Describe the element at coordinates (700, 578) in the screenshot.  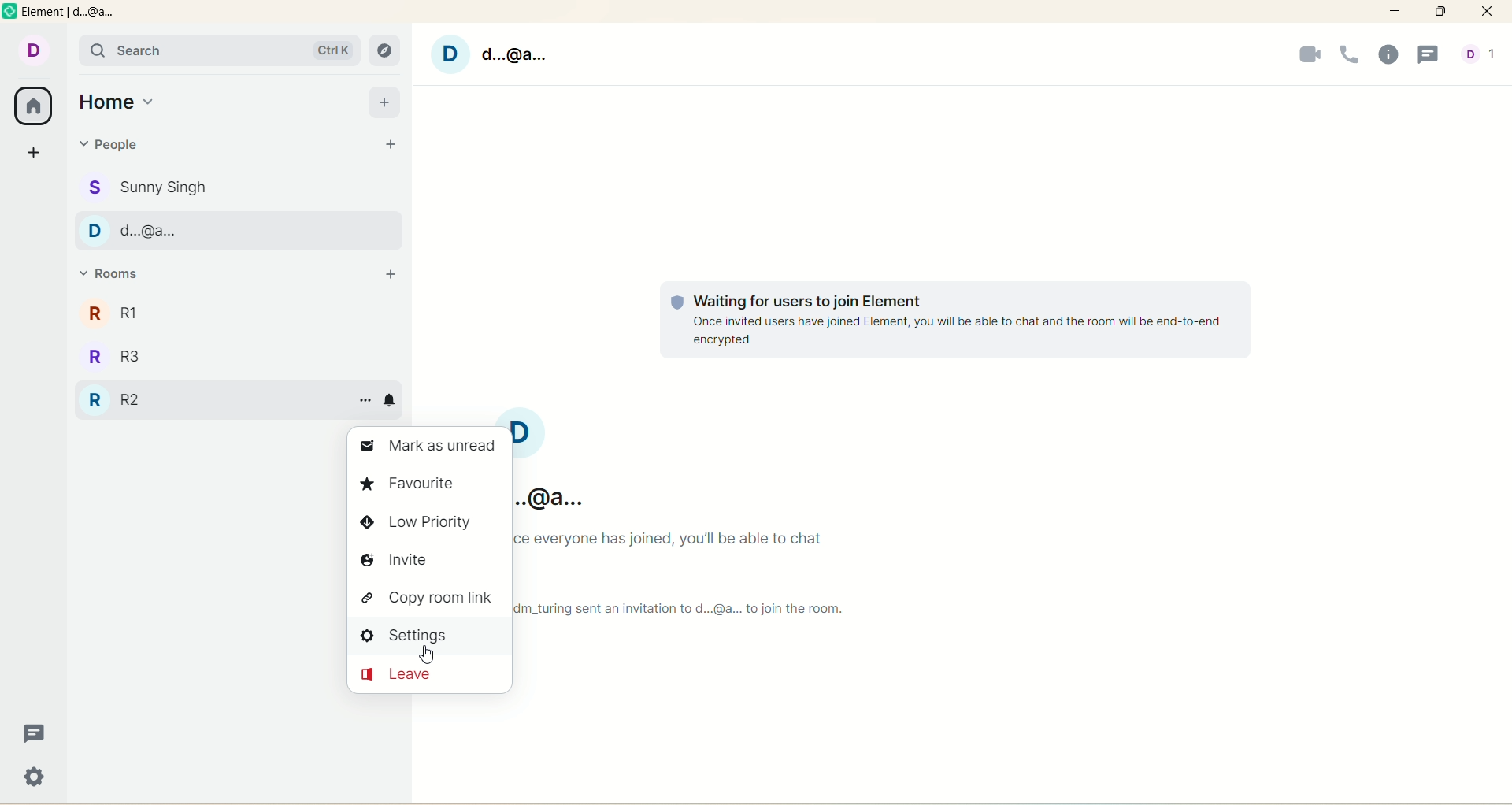
I see `text` at that location.